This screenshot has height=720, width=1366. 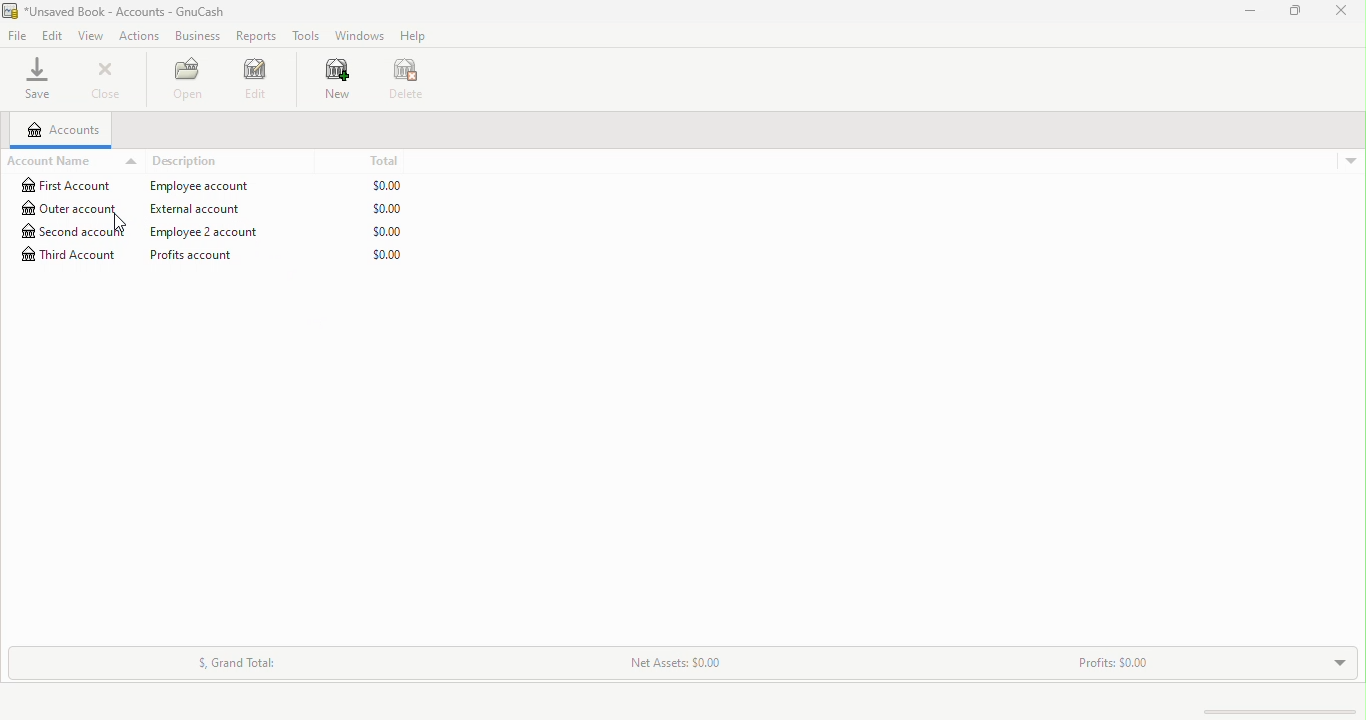 I want to click on First account, so click(x=218, y=186).